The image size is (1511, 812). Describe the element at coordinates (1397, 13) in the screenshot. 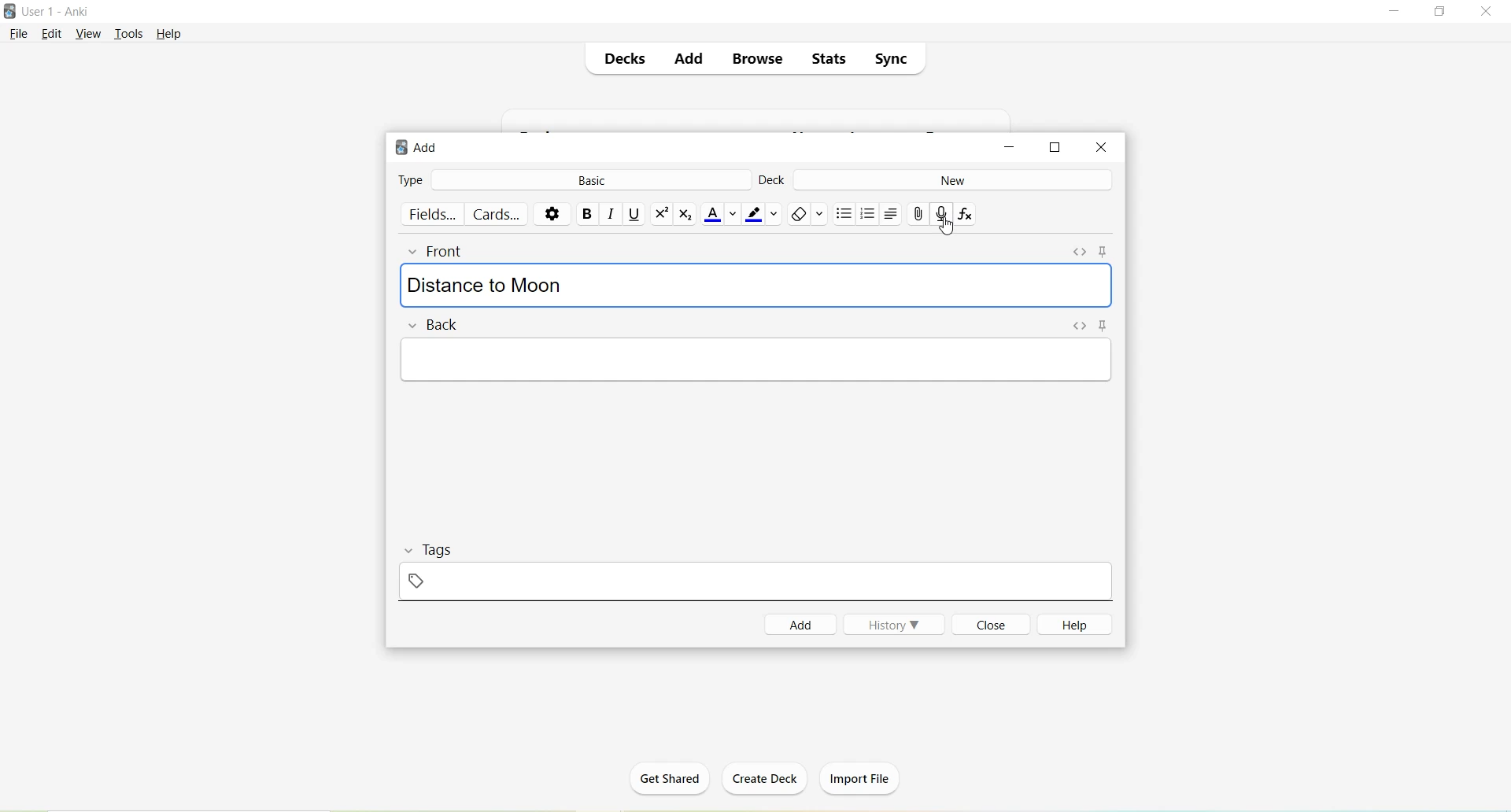

I see `Minimize` at that location.